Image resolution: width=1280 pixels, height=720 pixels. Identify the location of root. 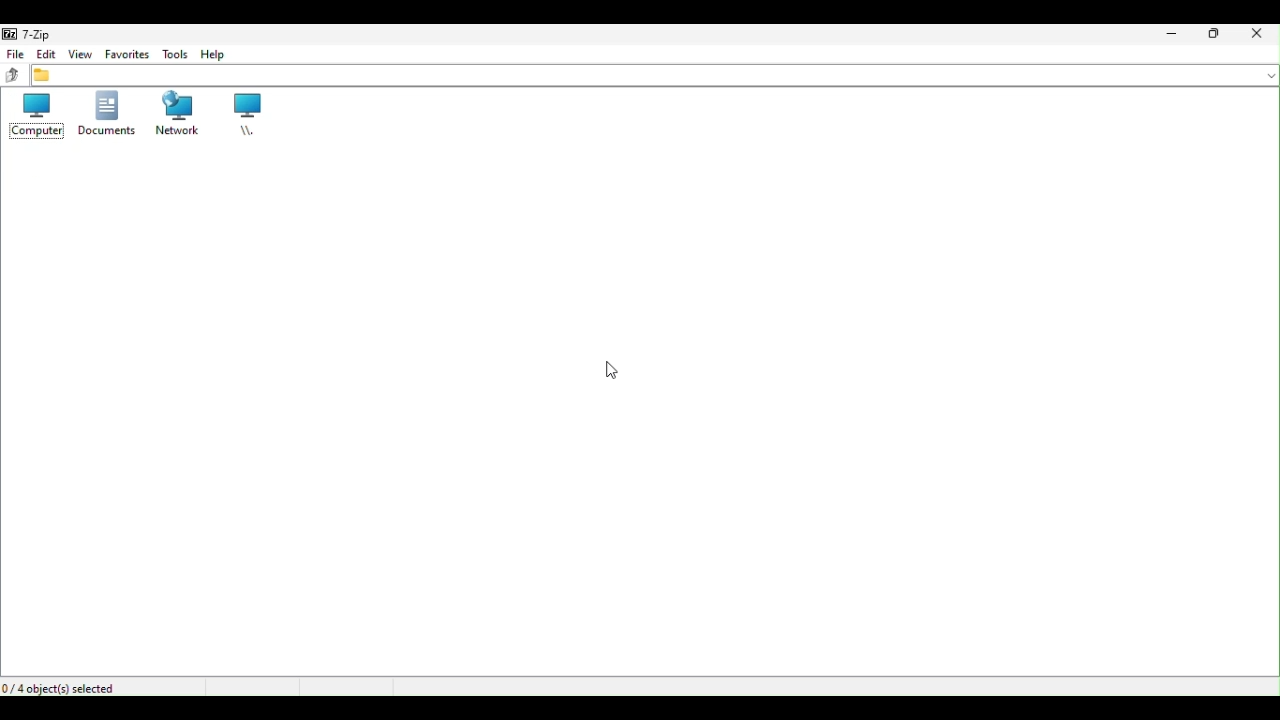
(251, 117).